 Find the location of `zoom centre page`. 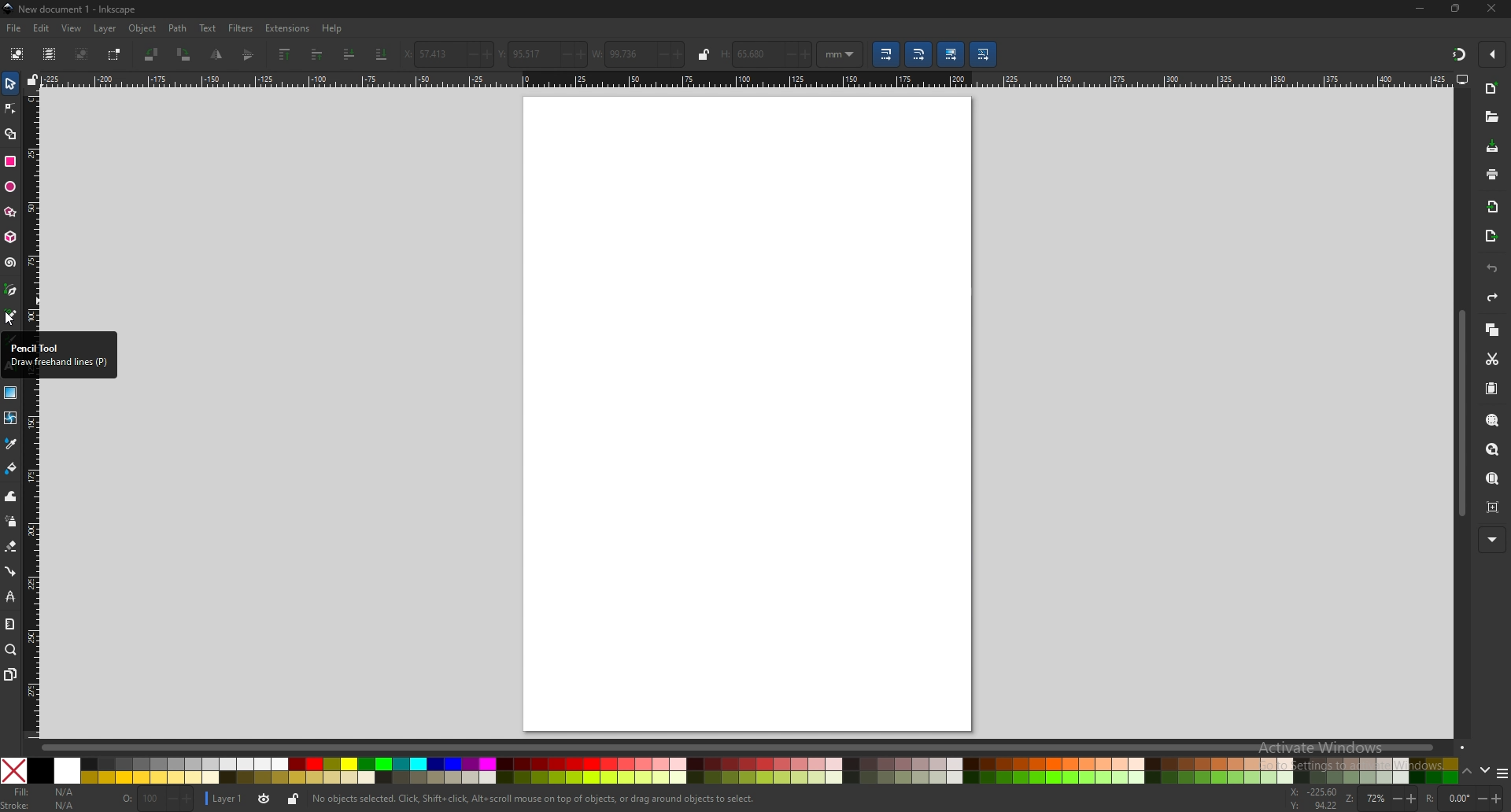

zoom centre page is located at coordinates (1491, 507).